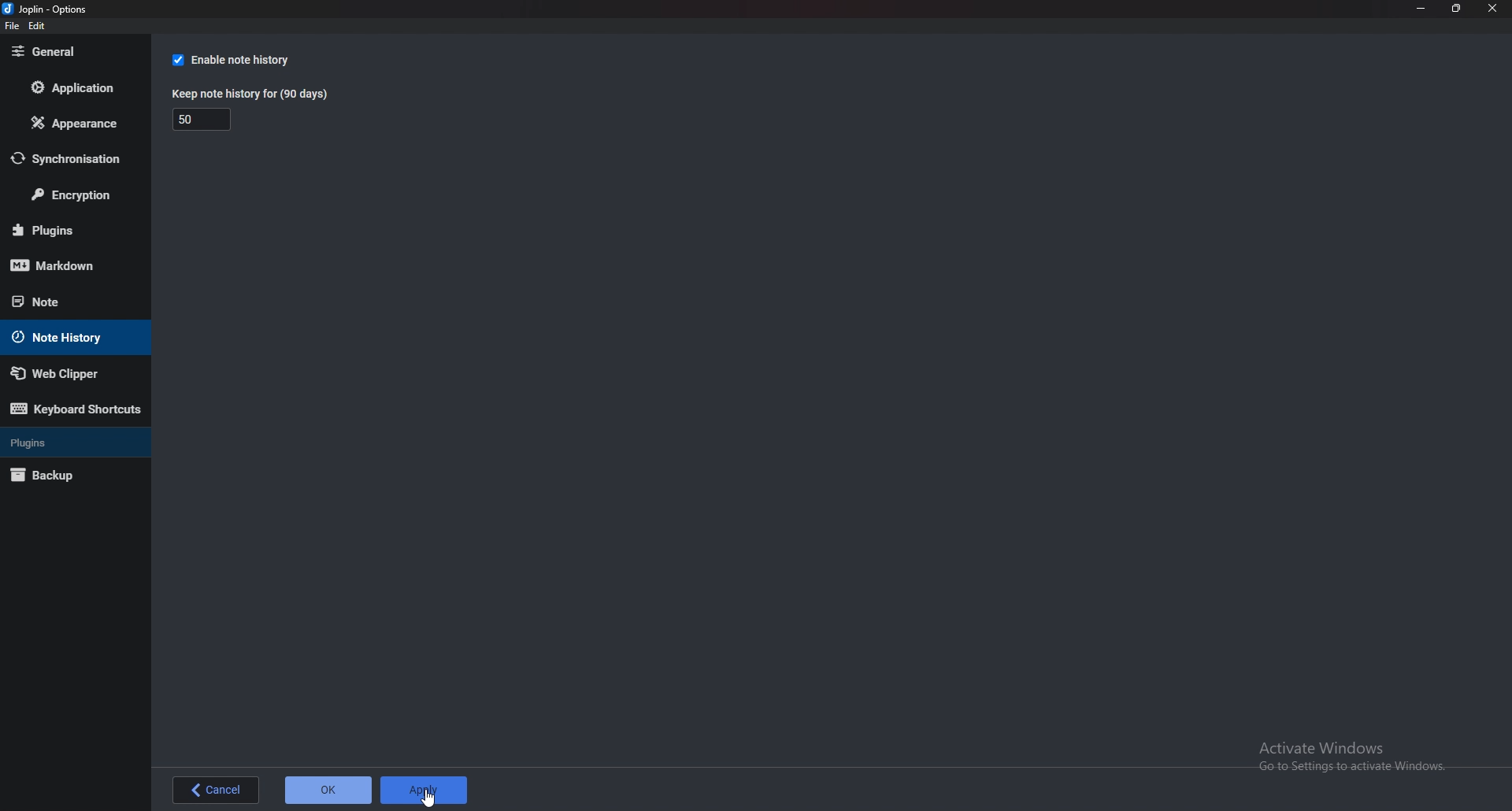 The image size is (1512, 811). I want to click on Enable note history, so click(240, 59).